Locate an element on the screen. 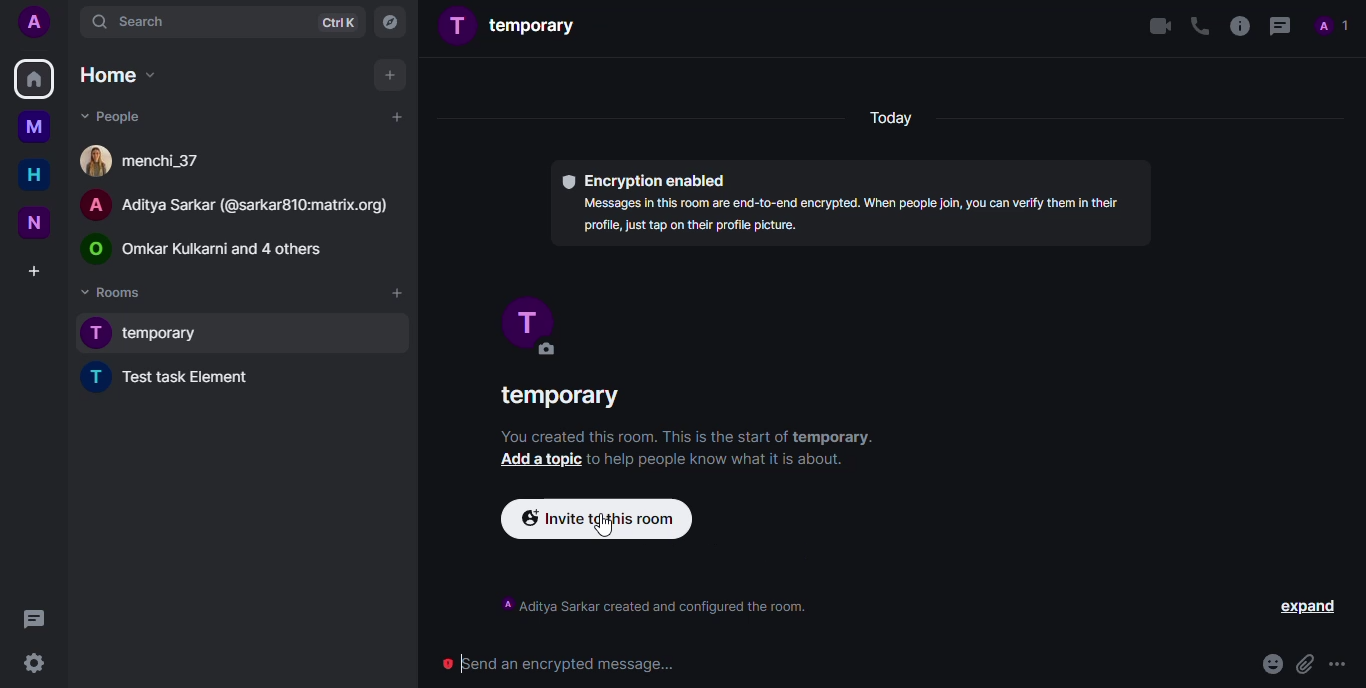 The width and height of the screenshot is (1366, 688). home is located at coordinates (117, 75).